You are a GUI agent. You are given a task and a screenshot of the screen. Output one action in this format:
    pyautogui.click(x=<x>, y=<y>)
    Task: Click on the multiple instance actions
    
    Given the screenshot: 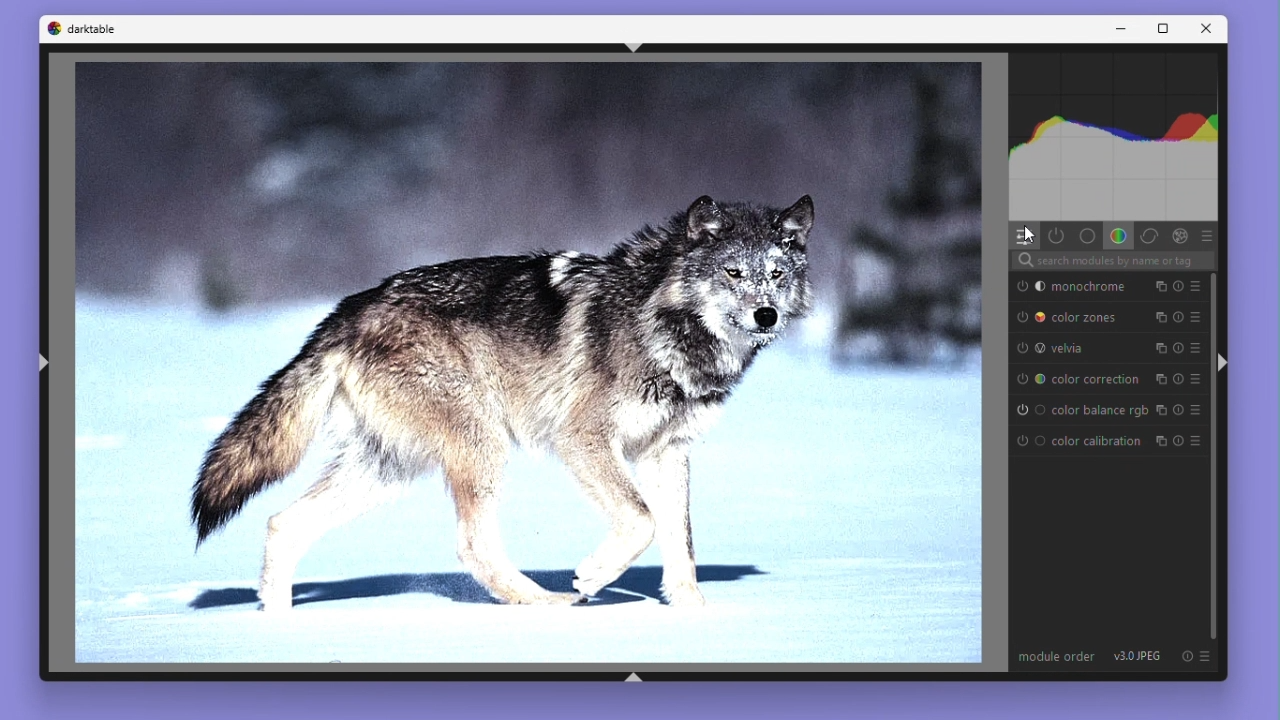 What is the action you would take?
    pyautogui.click(x=1158, y=442)
    